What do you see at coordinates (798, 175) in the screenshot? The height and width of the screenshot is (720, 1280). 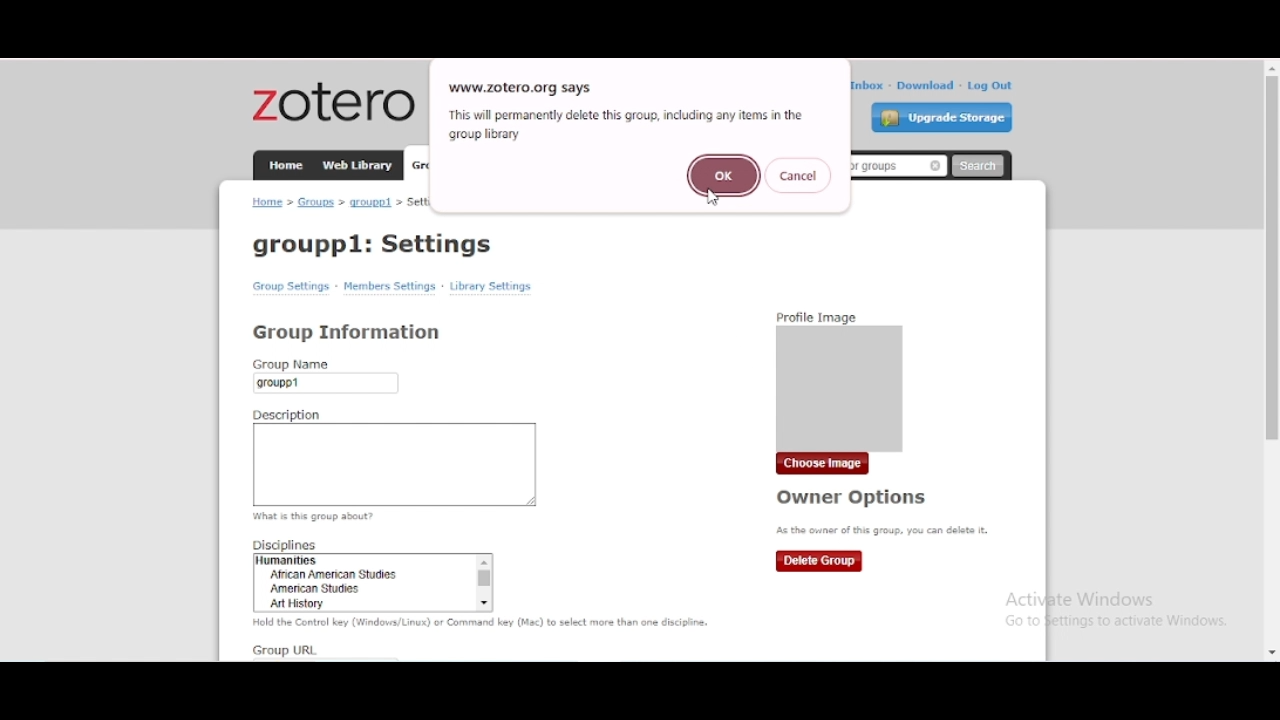 I see `cancel` at bounding box center [798, 175].